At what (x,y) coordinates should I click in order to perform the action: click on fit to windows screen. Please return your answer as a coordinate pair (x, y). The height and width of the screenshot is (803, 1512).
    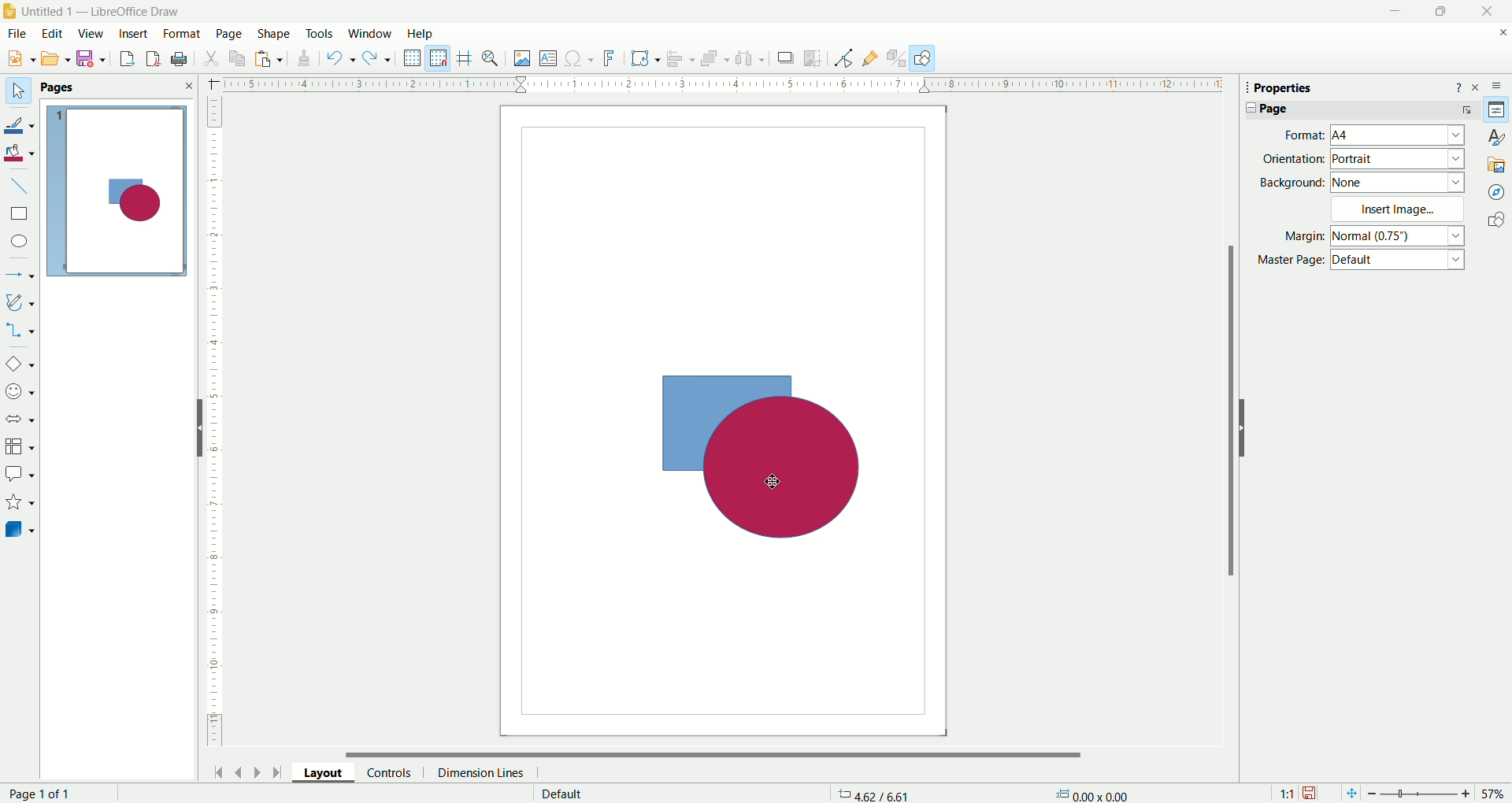
    Looking at the image, I should click on (1347, 792).